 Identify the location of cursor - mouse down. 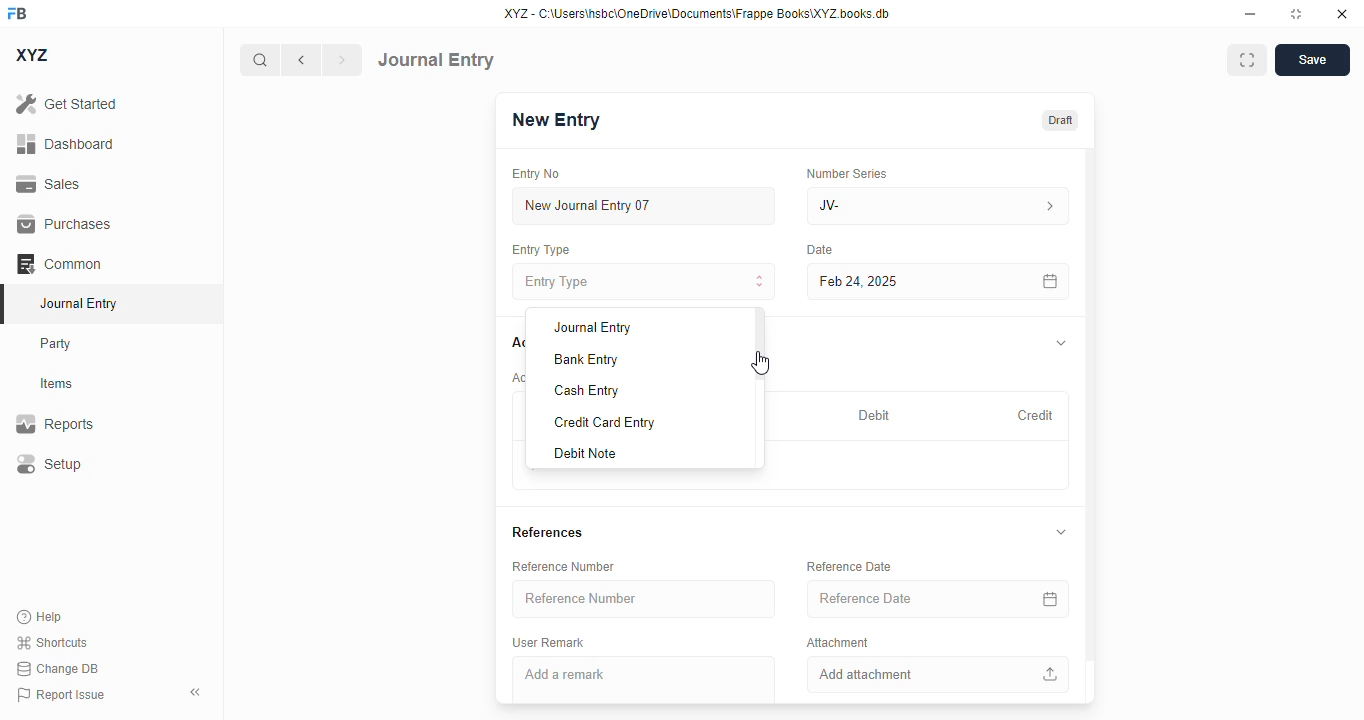
(762, 363).